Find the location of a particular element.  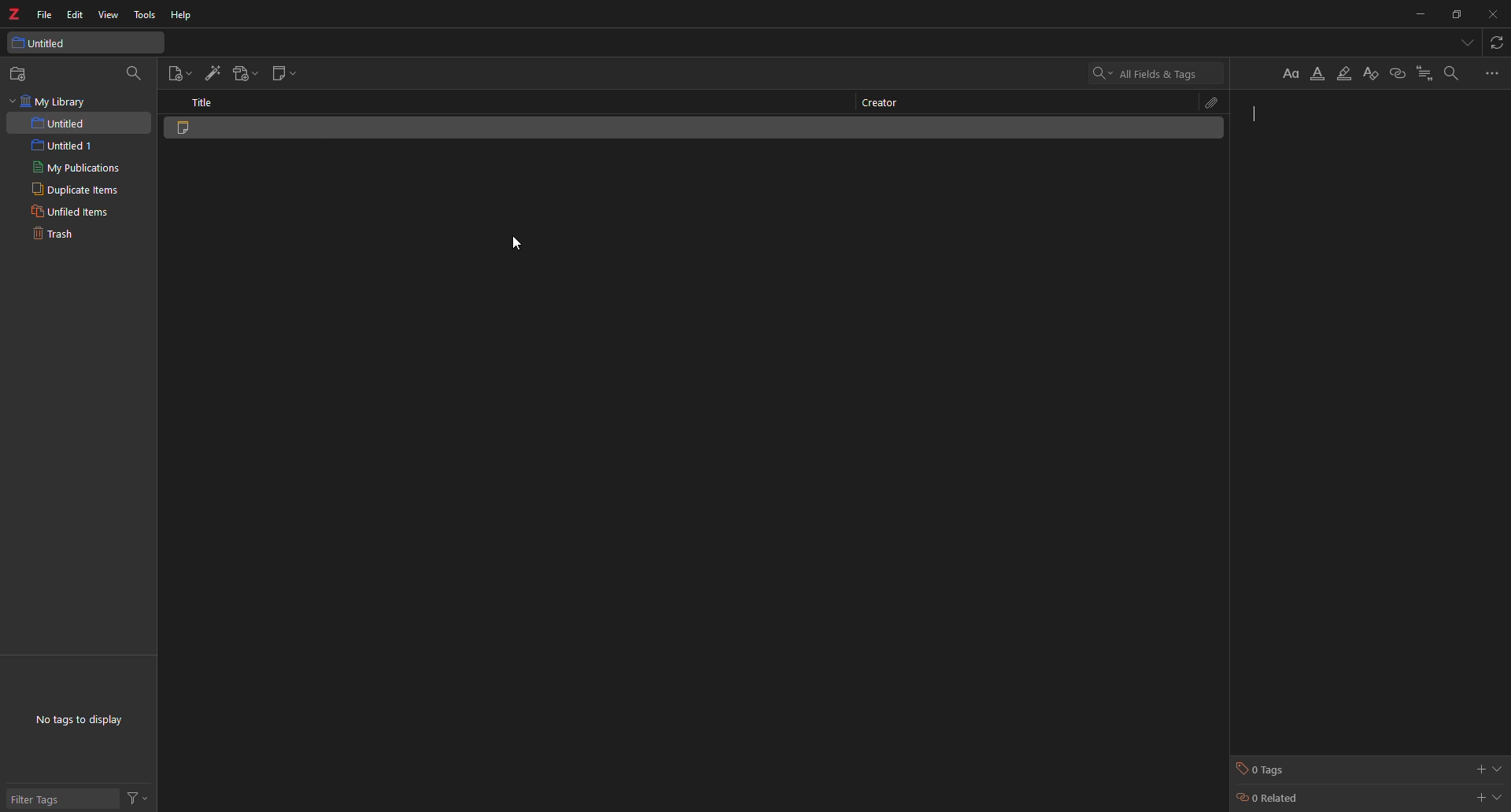

text color is located at coordinates (1321, 69).